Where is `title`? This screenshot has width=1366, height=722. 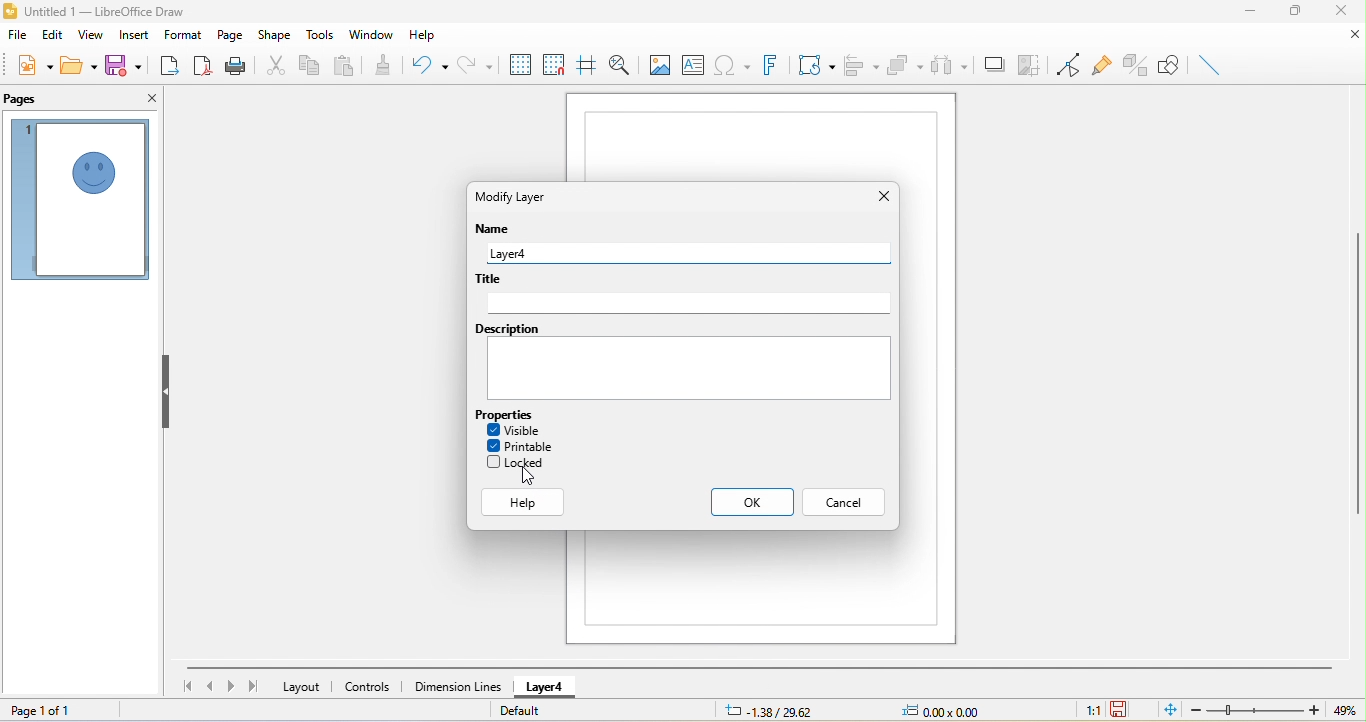 title is located at coordinates (683, 293).